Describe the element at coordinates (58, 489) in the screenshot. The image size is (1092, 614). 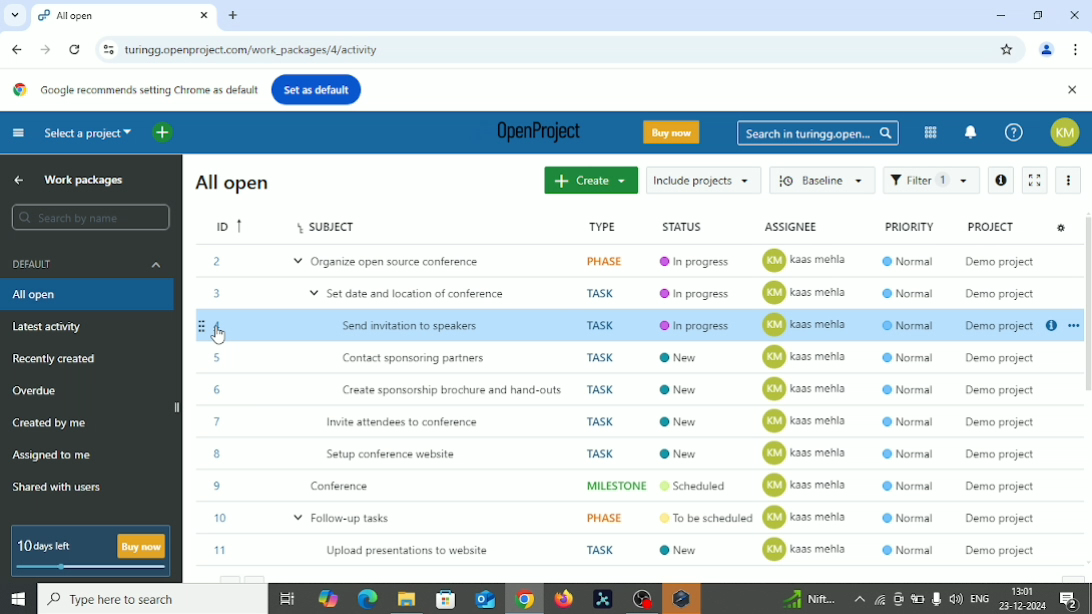
I see `Shared with users` at that location.